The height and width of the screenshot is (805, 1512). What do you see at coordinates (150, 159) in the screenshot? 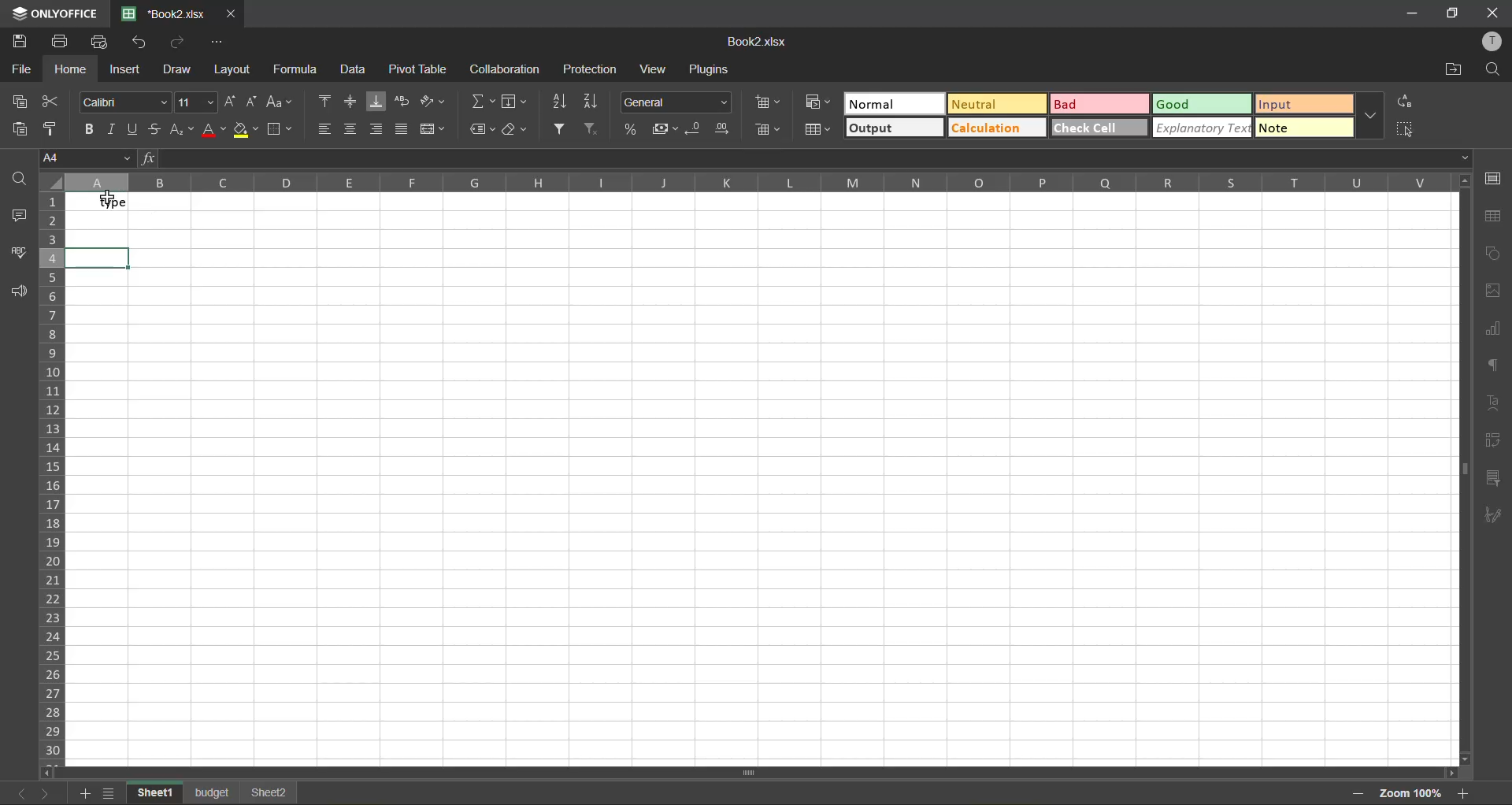
I see `fx` at bounding box center [150, 159].